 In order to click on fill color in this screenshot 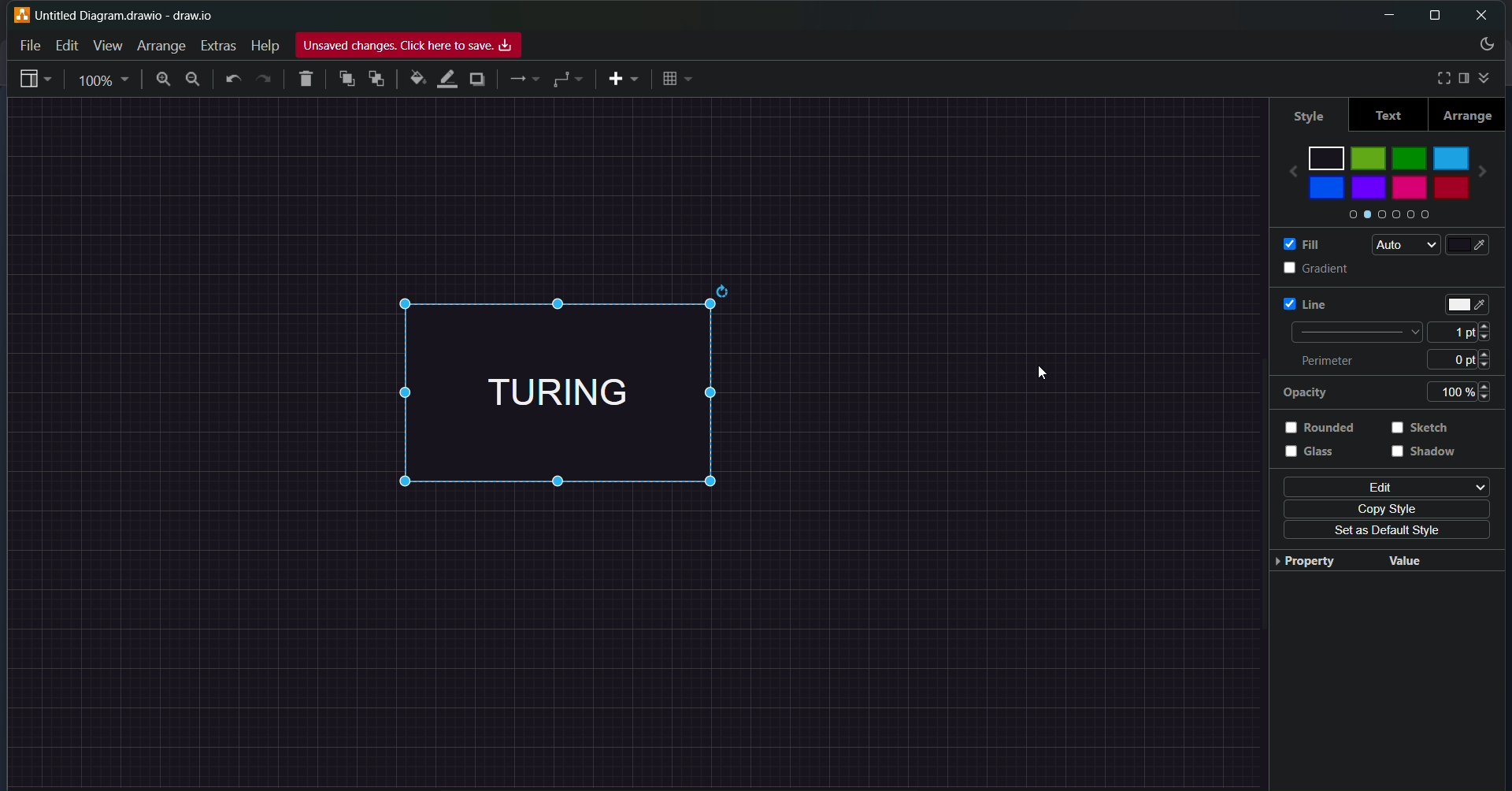, I will do `click(1477, 245)`.